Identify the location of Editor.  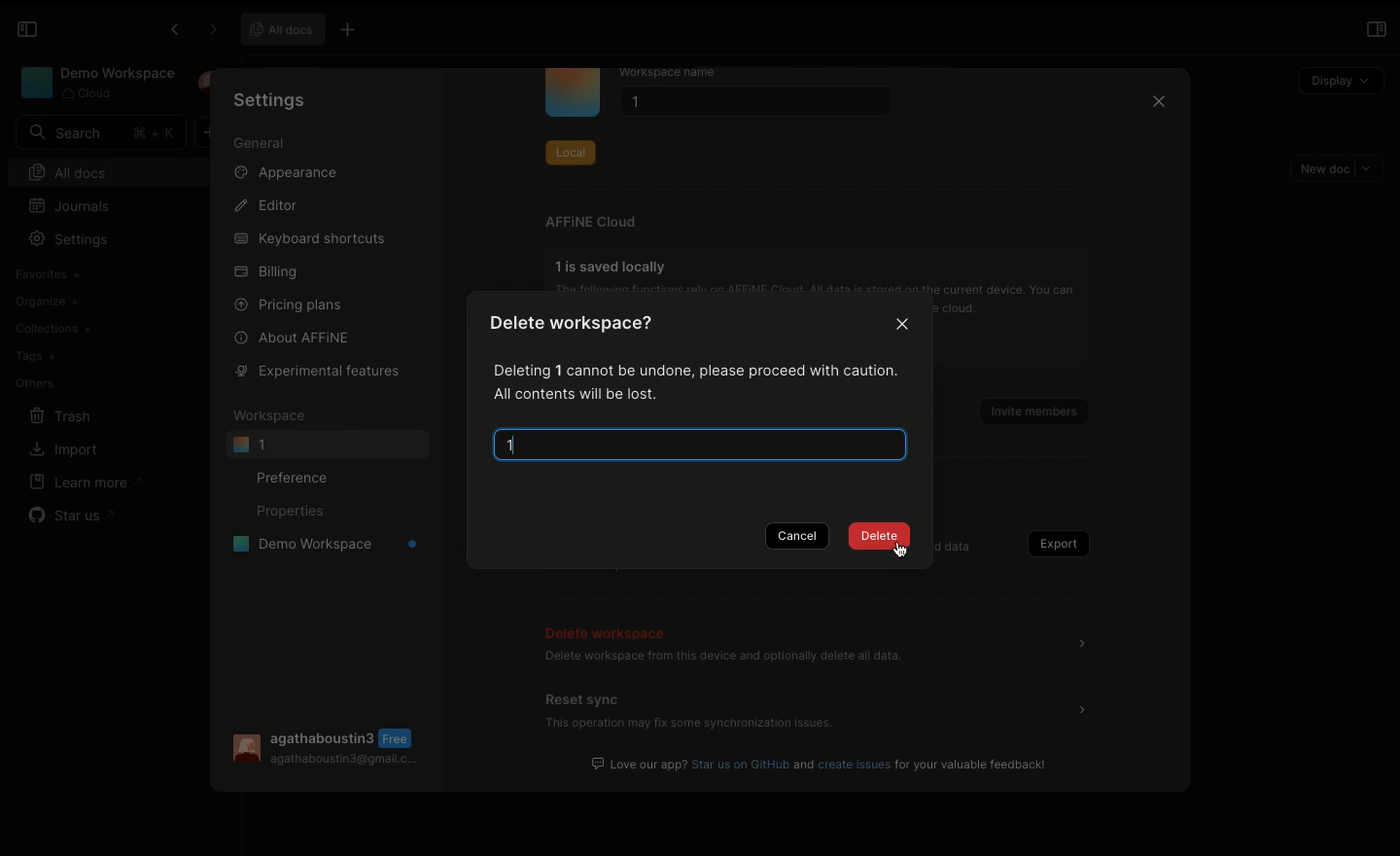
(268, 206).